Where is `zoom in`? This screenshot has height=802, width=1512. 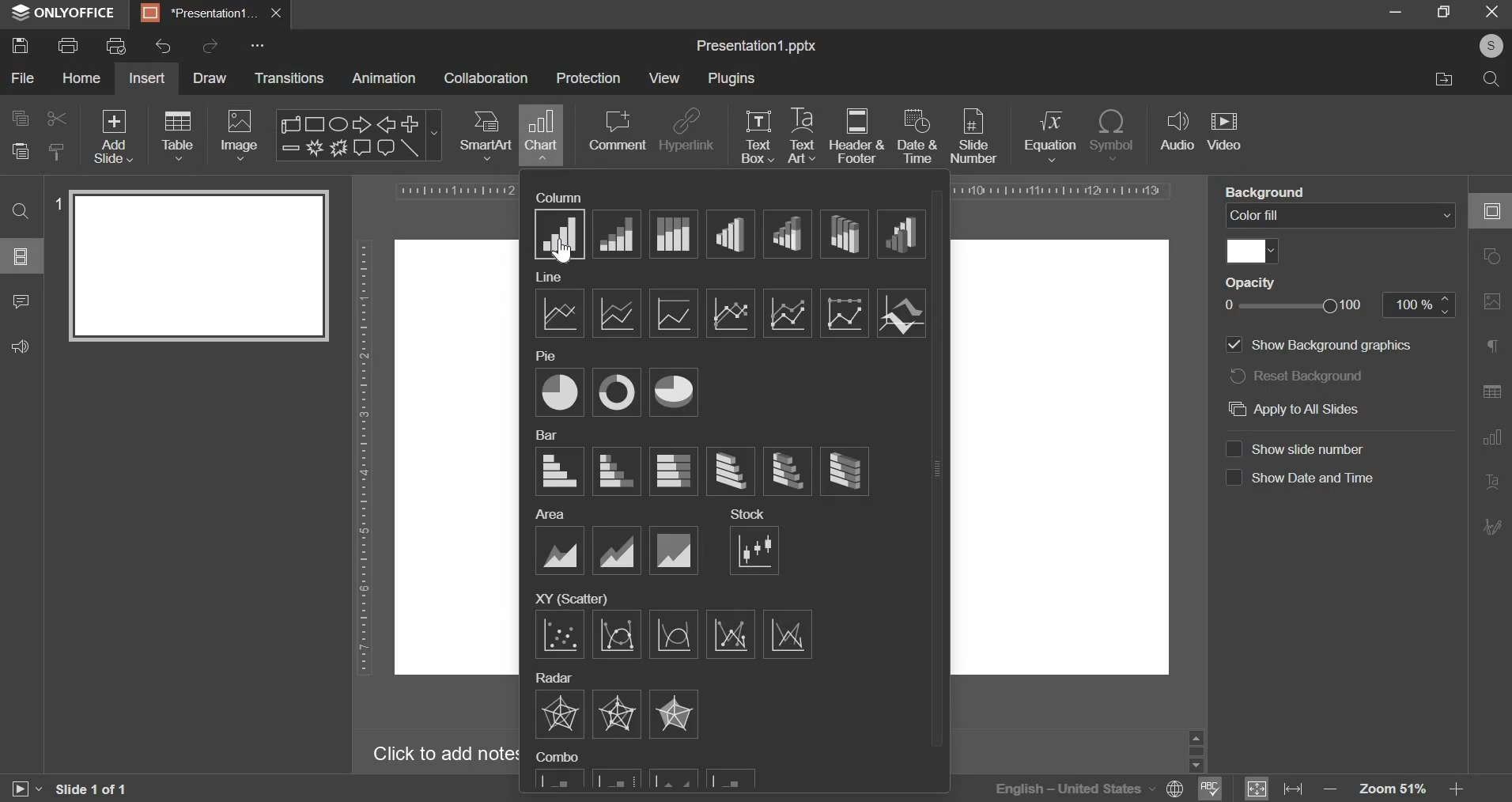
zoom in is located at coordinates (1457, 790).